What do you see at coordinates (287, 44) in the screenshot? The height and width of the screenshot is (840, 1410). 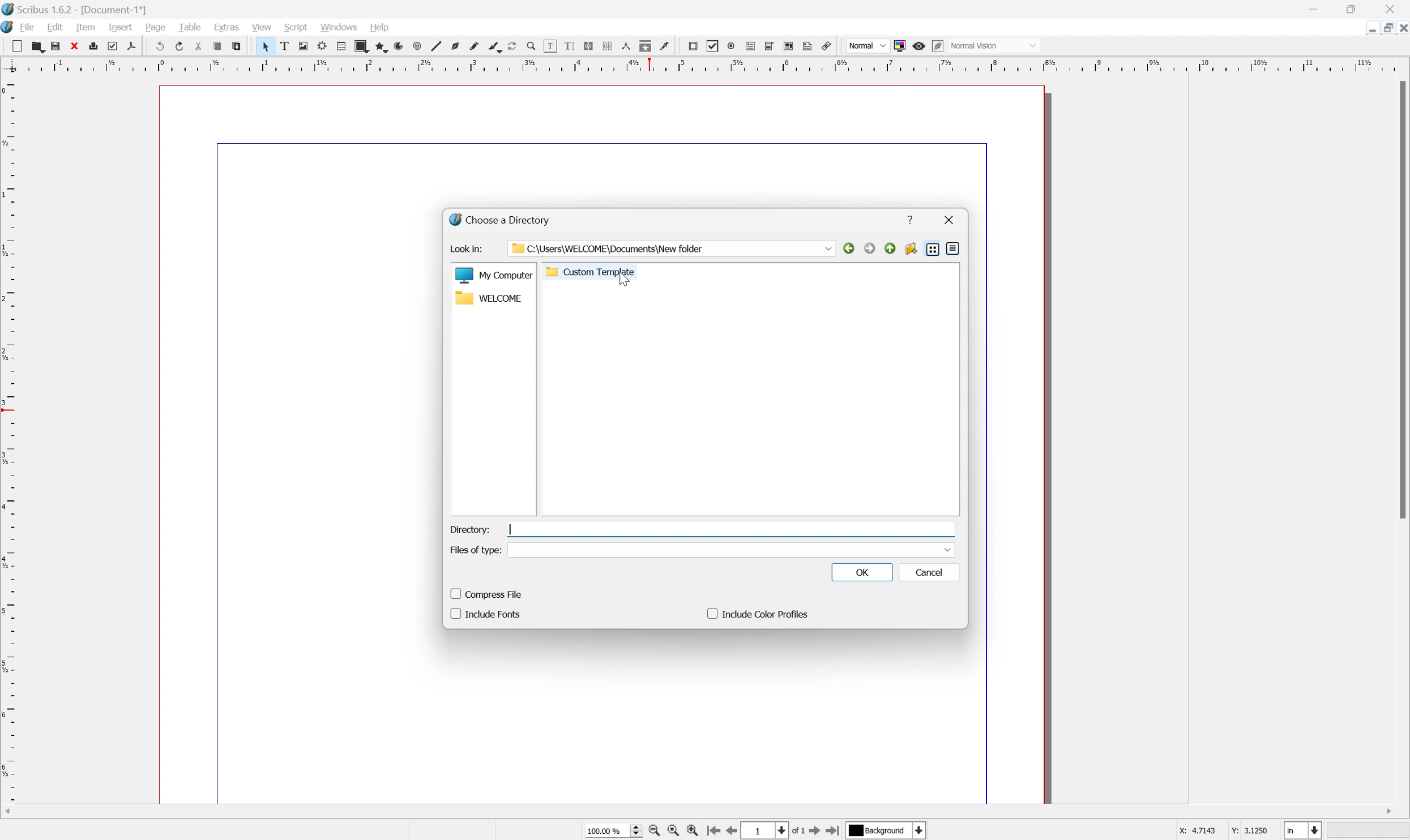 I see `text frame` at bounding box center [287, 44].